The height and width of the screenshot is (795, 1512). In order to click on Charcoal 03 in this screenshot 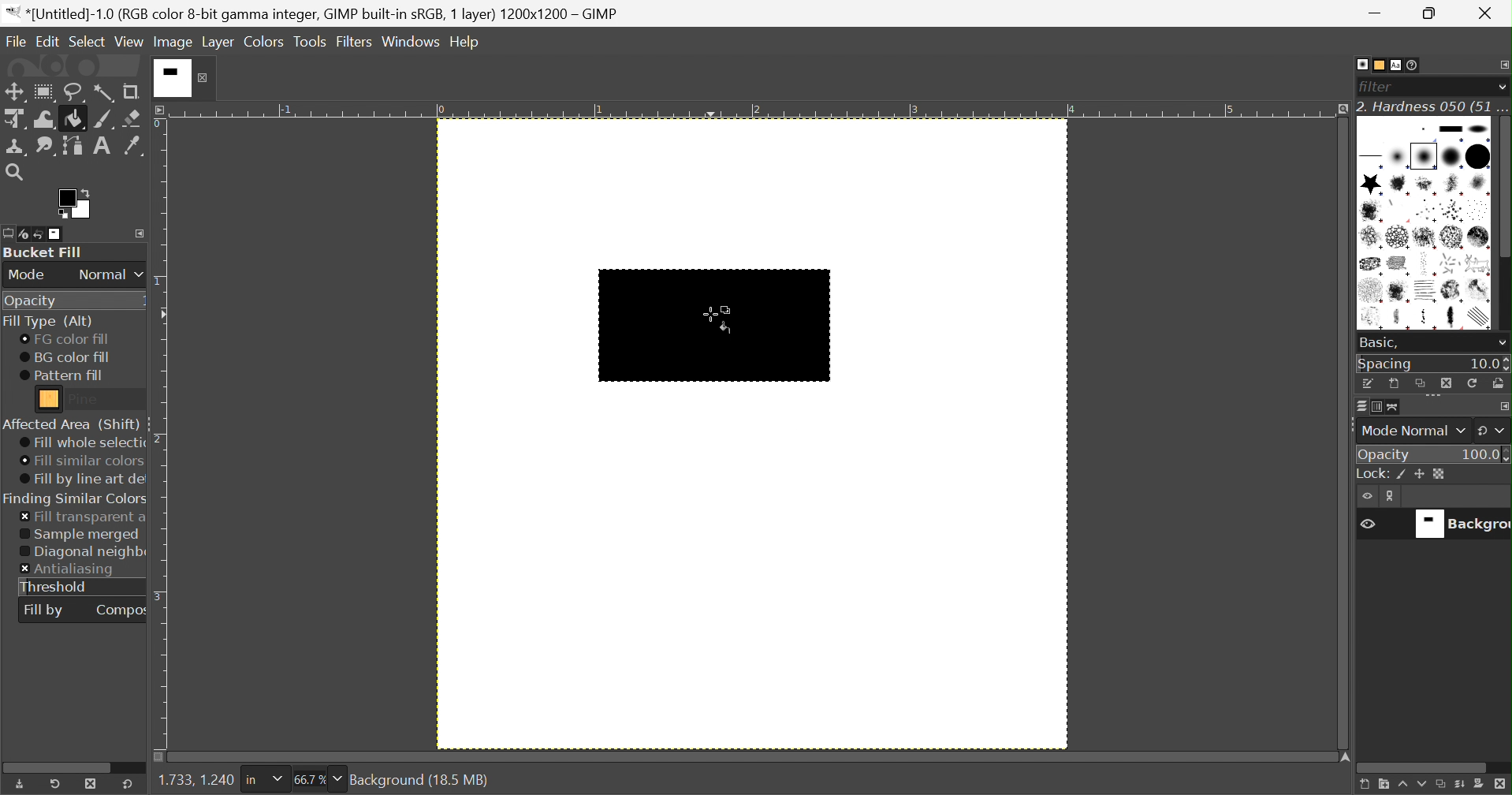, I will do `click(1427, 263)`.